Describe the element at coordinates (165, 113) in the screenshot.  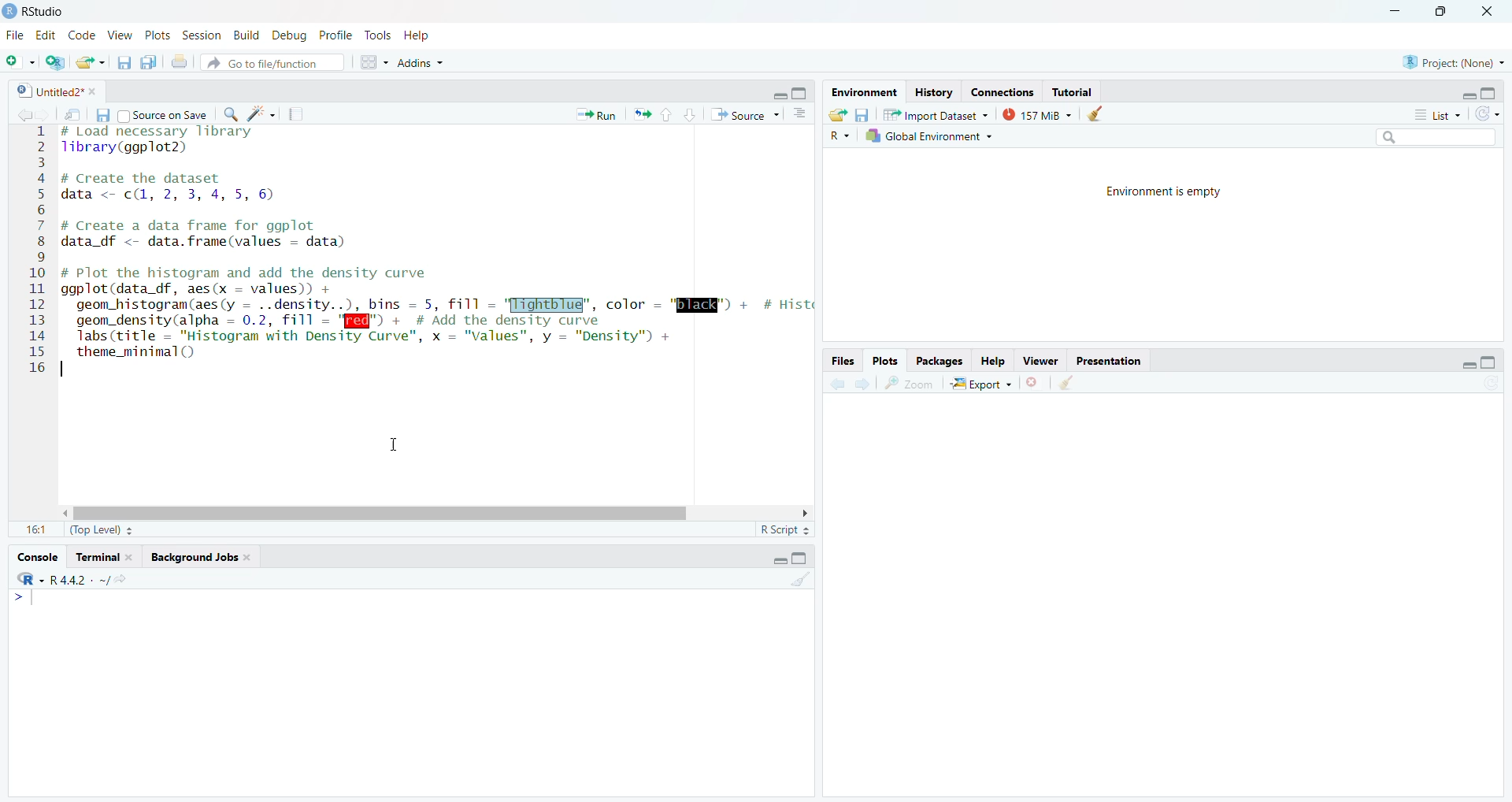
I see `| Source on Save` at that location.